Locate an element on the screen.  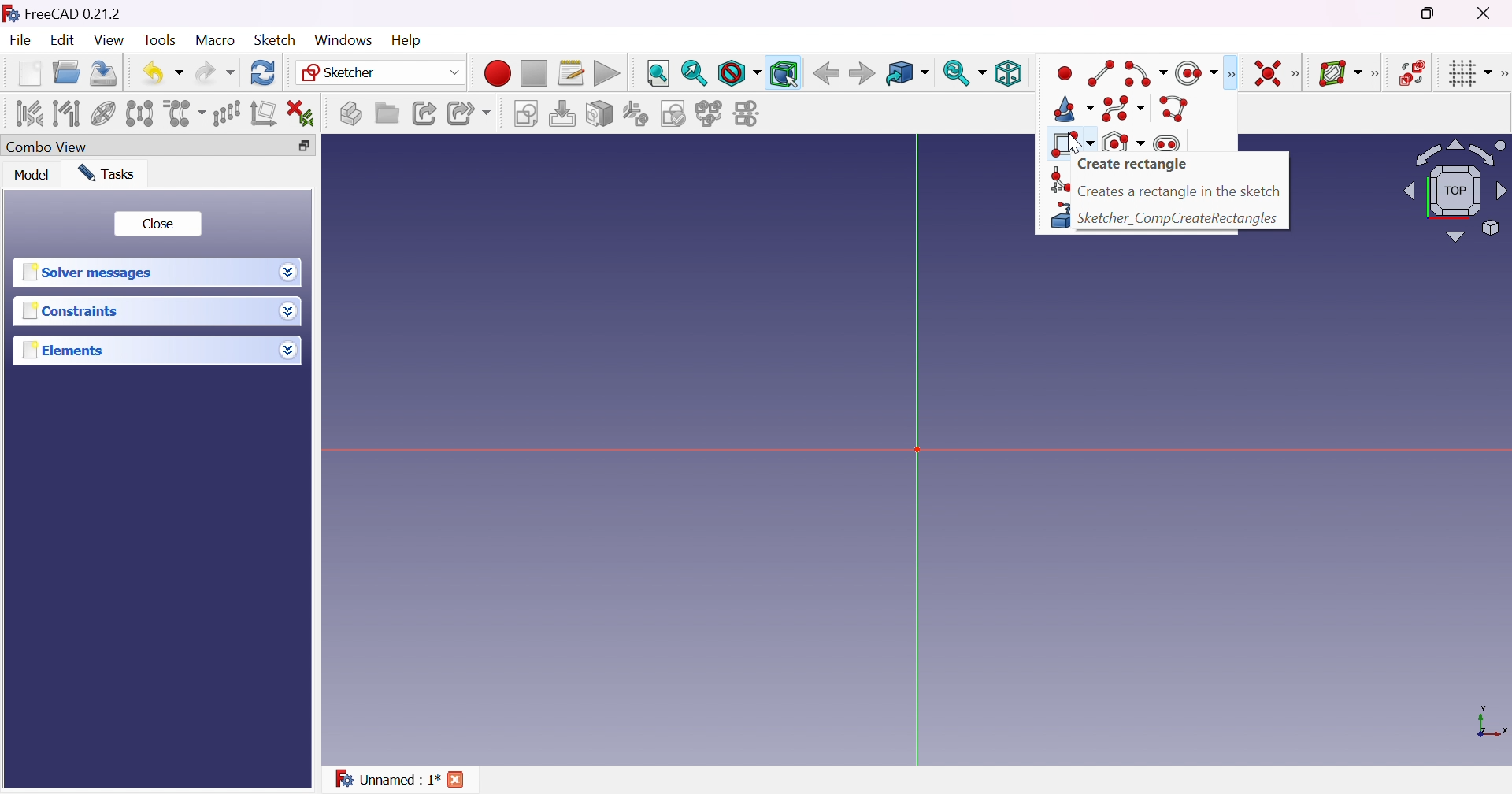
Macro is located at coordinates (215, 42).